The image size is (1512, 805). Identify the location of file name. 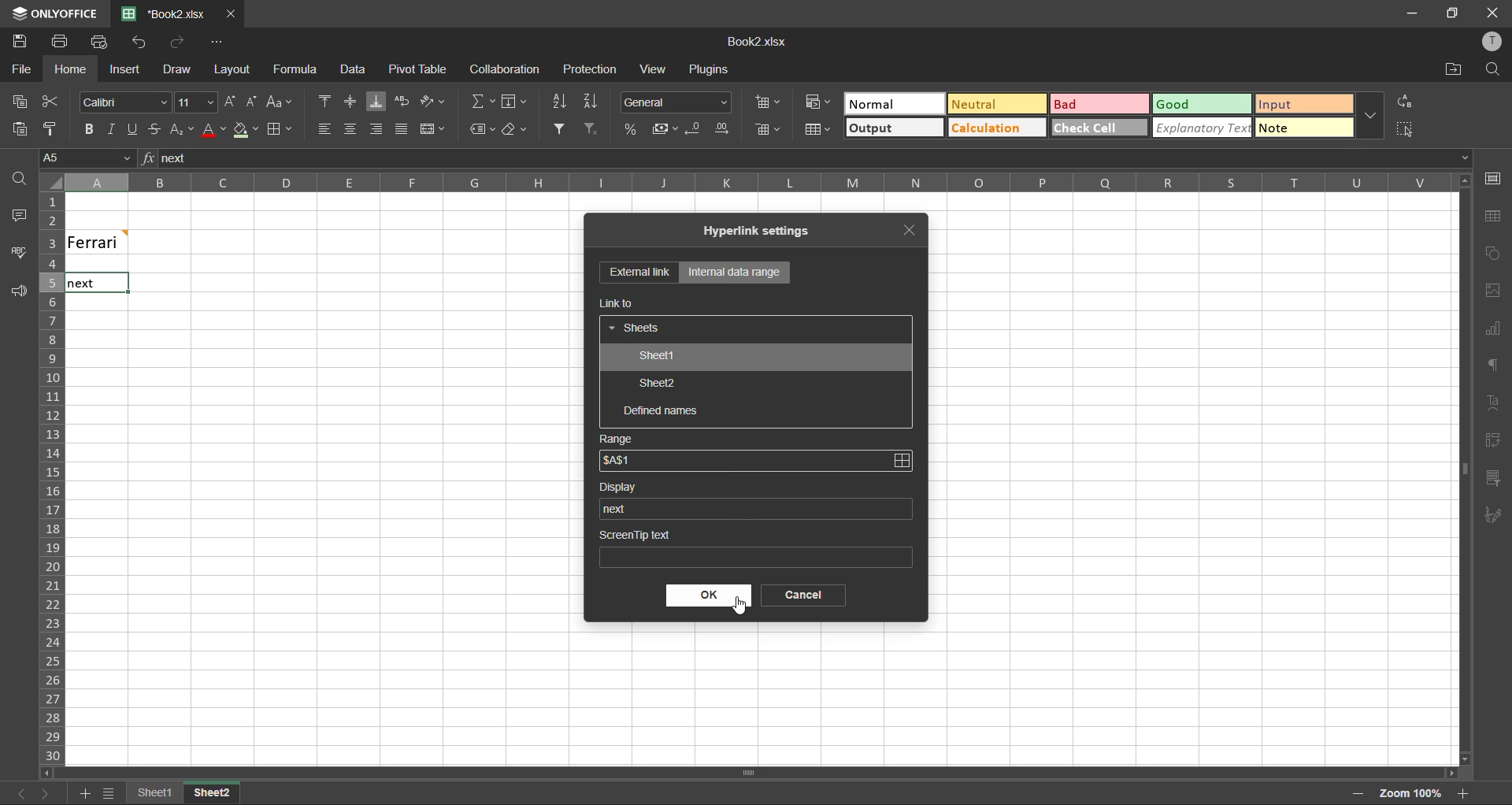
(170, 14).